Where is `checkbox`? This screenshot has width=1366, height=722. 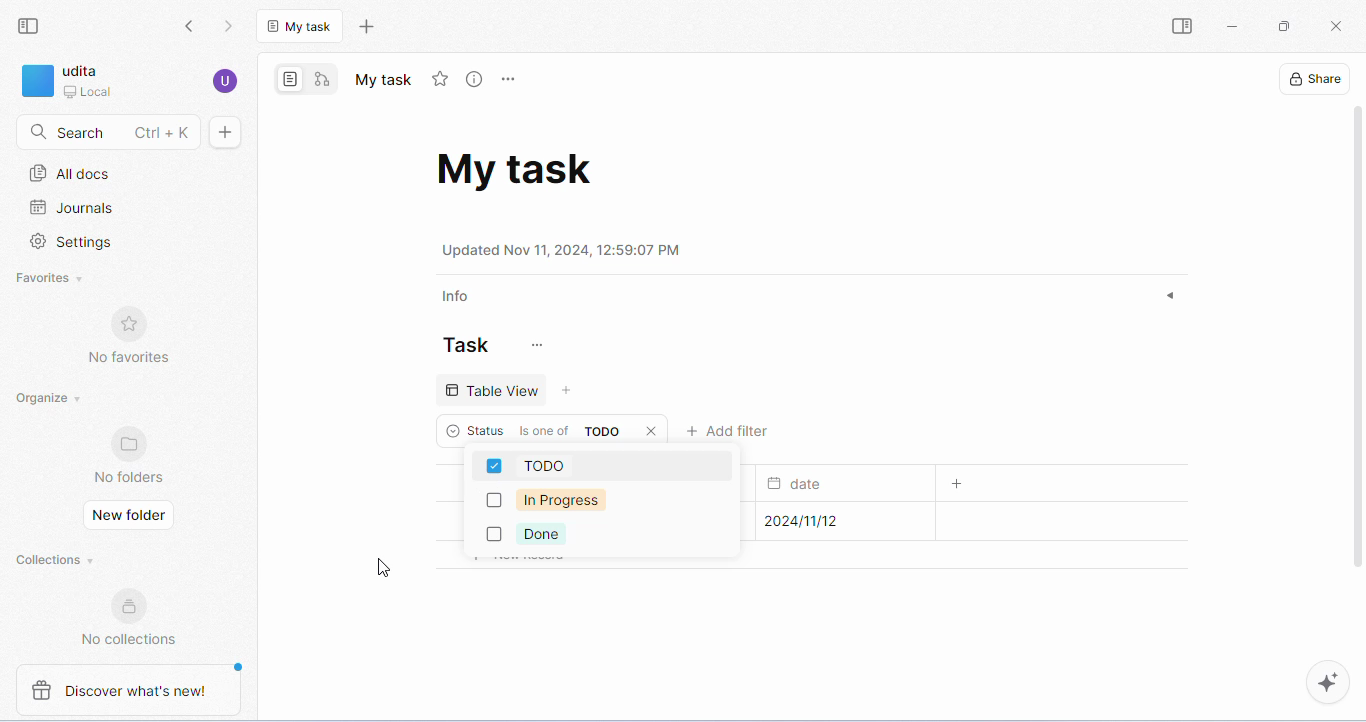
checkbox is located at coordinates (492, 501).